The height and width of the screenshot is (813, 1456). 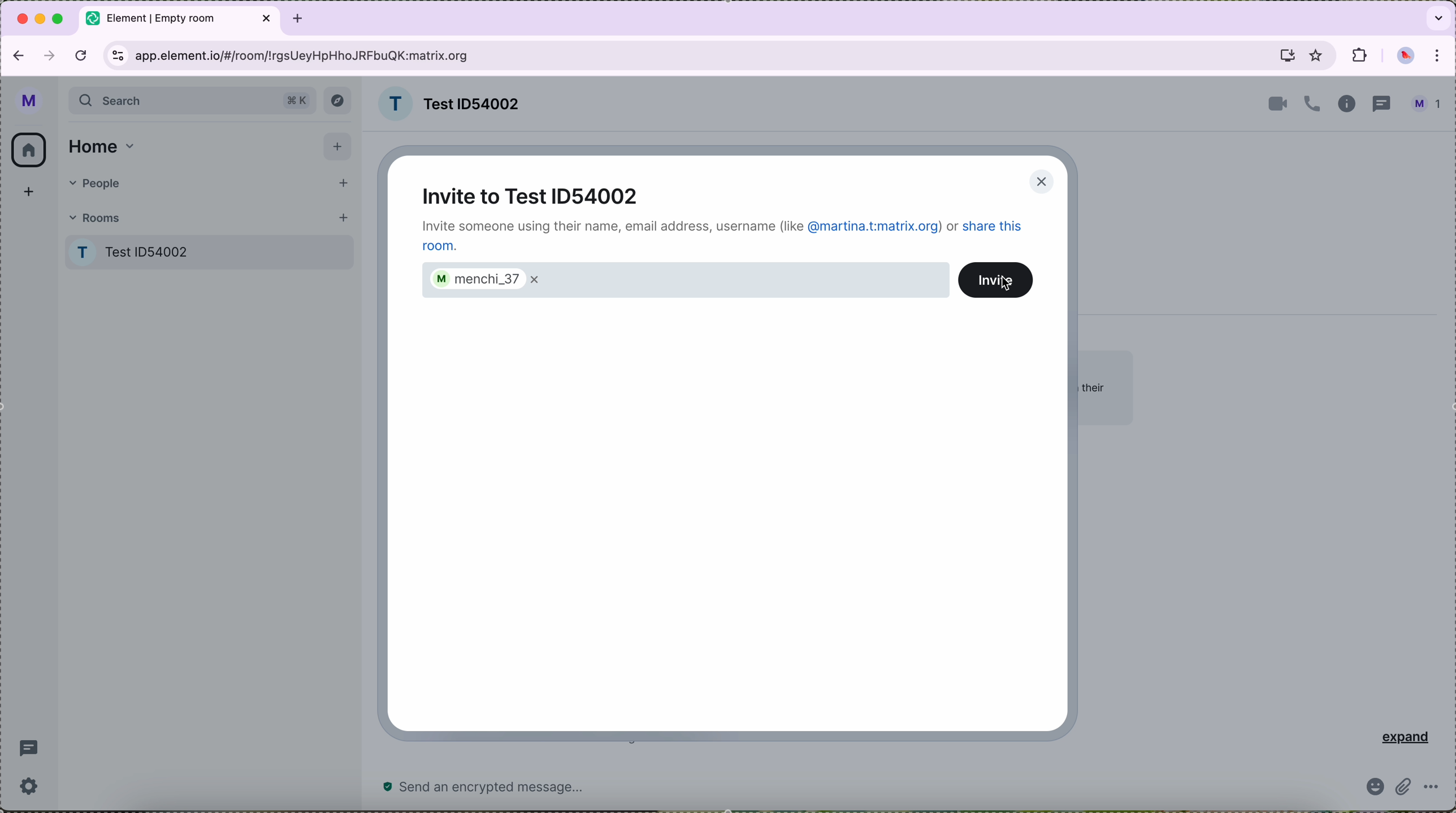 What do you see at coordinates (298, 17) in the screenshot?
I see `tab` at bounding box center [298, 17].